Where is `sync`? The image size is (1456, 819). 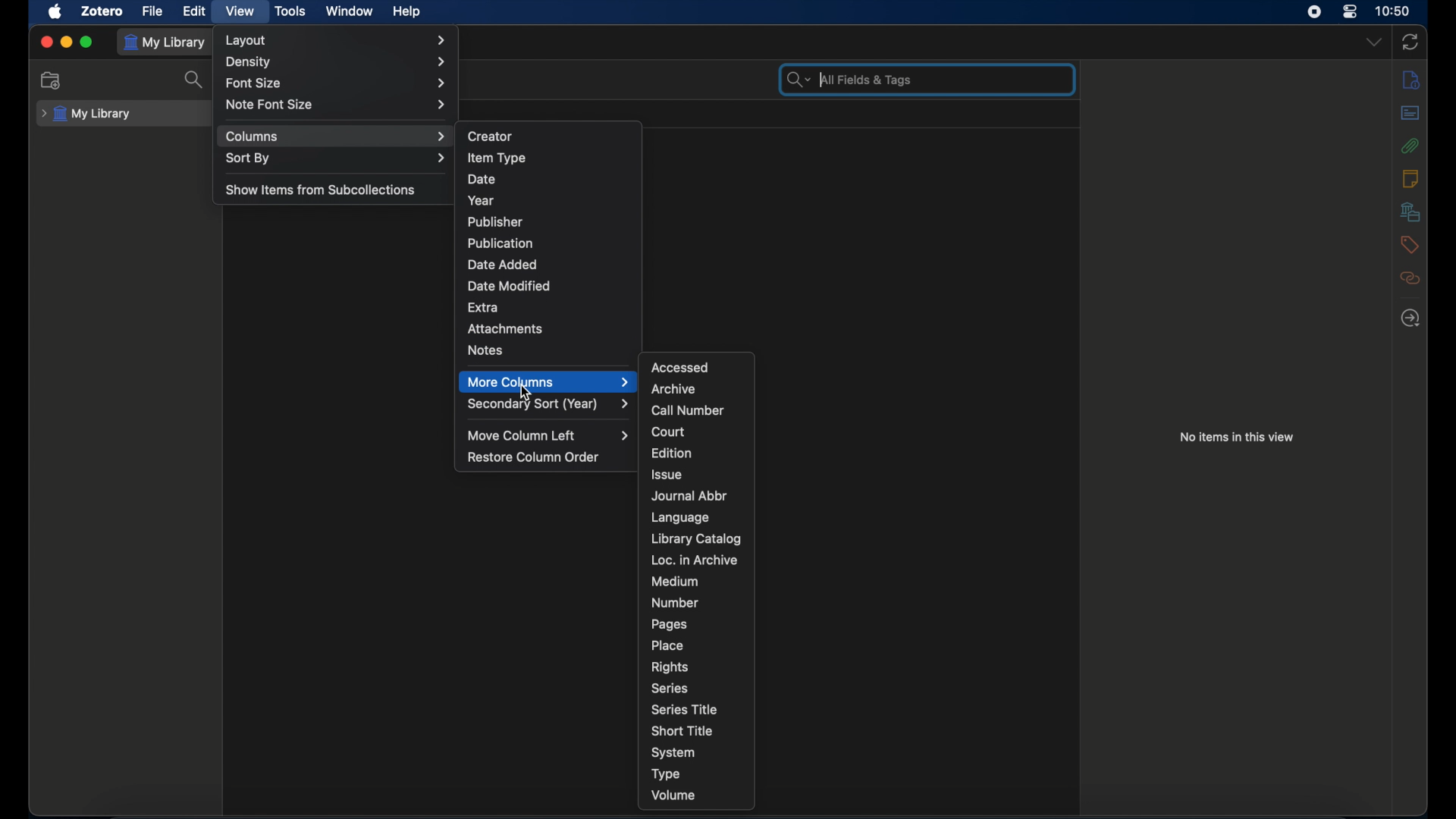 sync is located at coordinates (1410, 42).